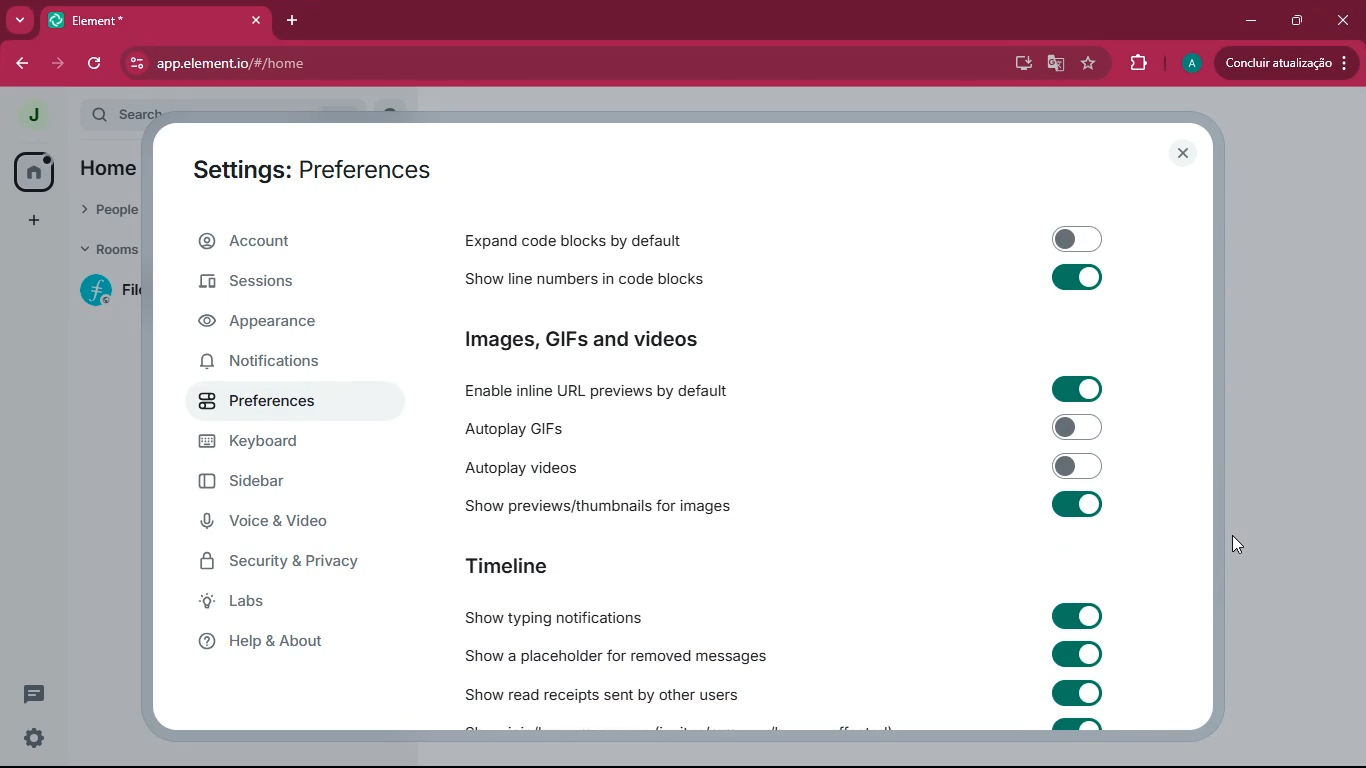  Describe the element at coordinates (1079, 427) in the screenshot. I see `toggle on/off` at that location.